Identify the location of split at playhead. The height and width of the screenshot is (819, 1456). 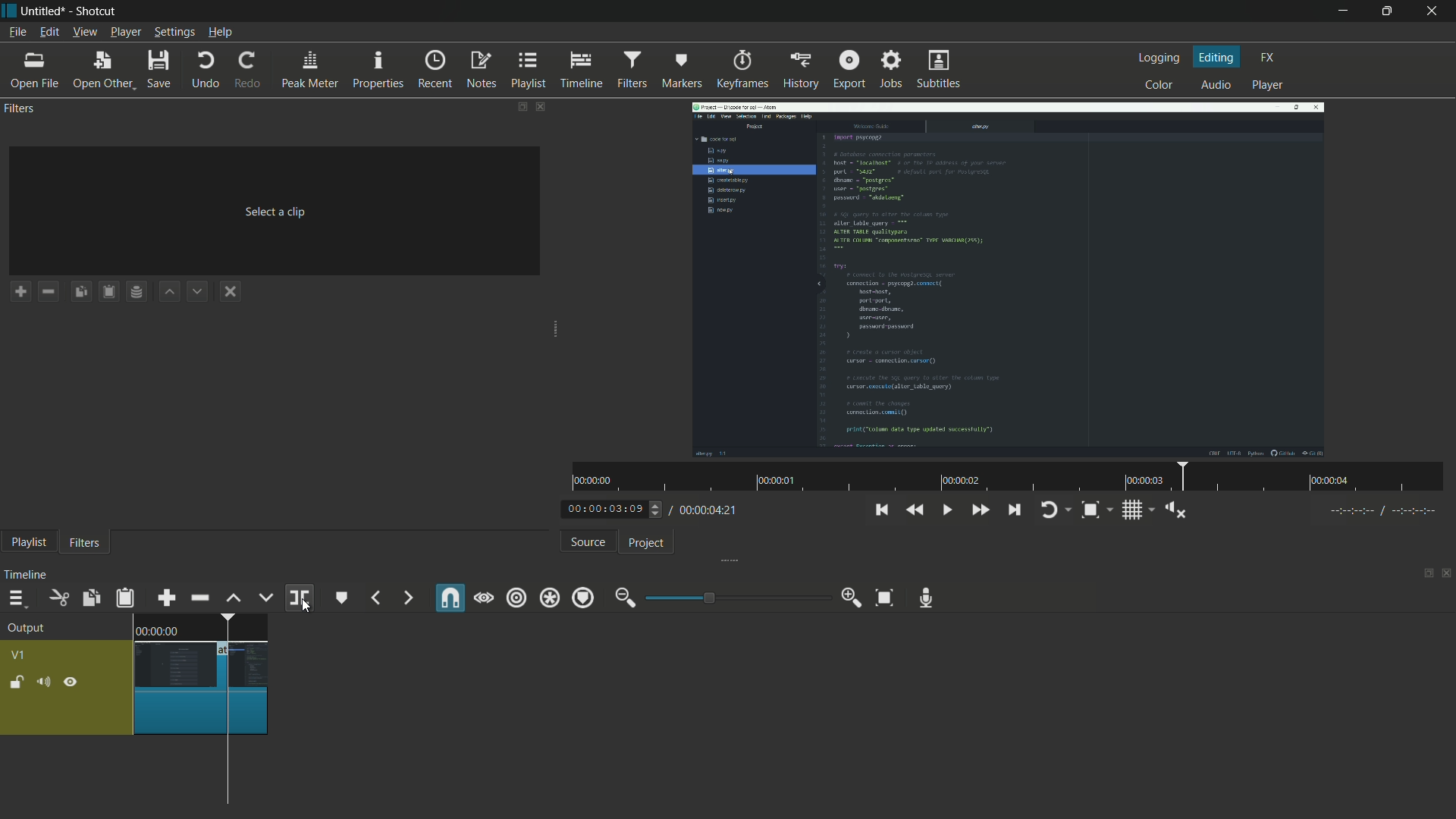
(299, 598).